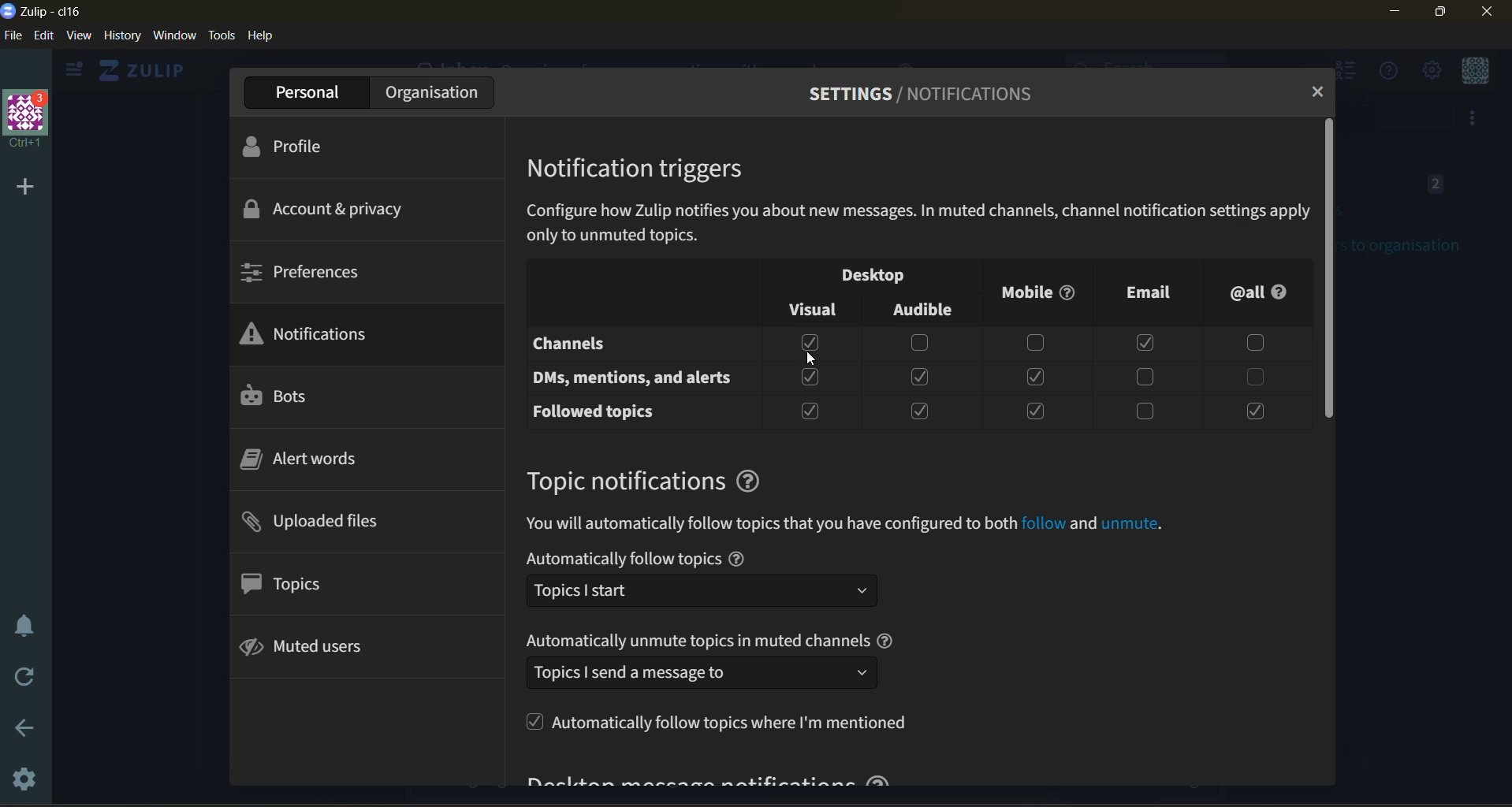 Image resolution: width=1512 pixels, height=807 pixels. I want to click on followed topics, so click(602, 412).